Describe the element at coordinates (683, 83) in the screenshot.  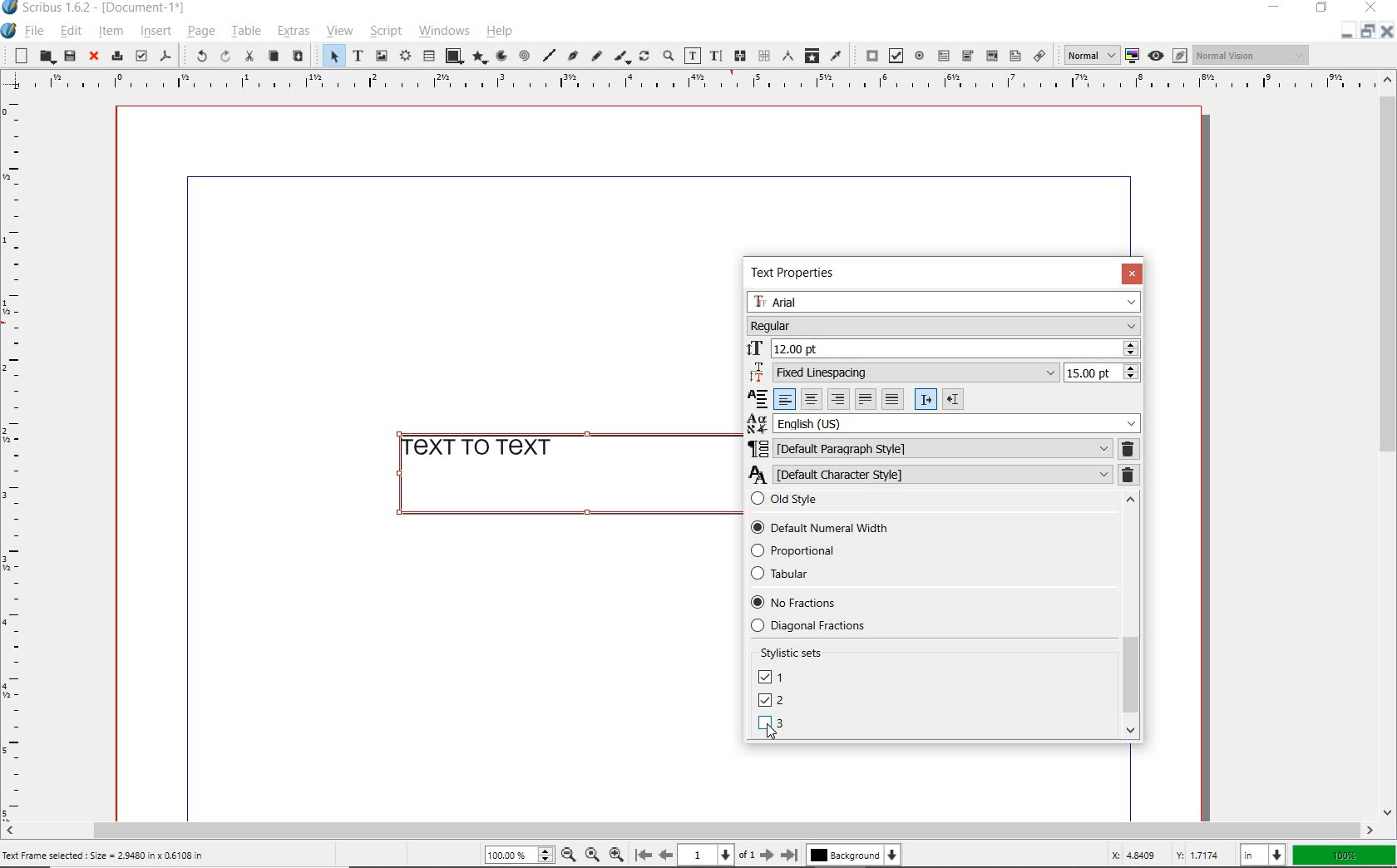
I see `Vertical page margin` at that location.